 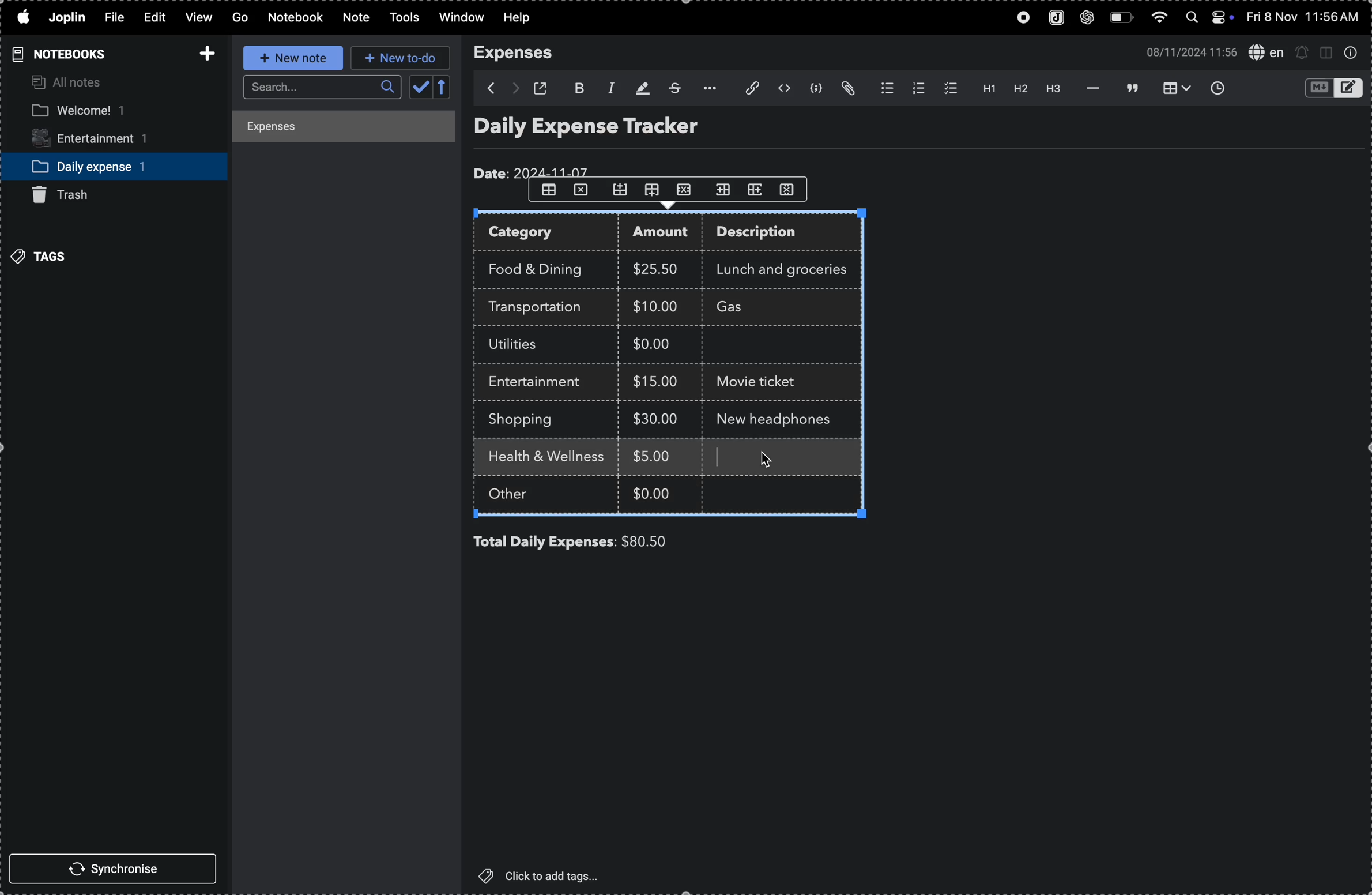 I want to click on attach file, so click(x=850, y=89).